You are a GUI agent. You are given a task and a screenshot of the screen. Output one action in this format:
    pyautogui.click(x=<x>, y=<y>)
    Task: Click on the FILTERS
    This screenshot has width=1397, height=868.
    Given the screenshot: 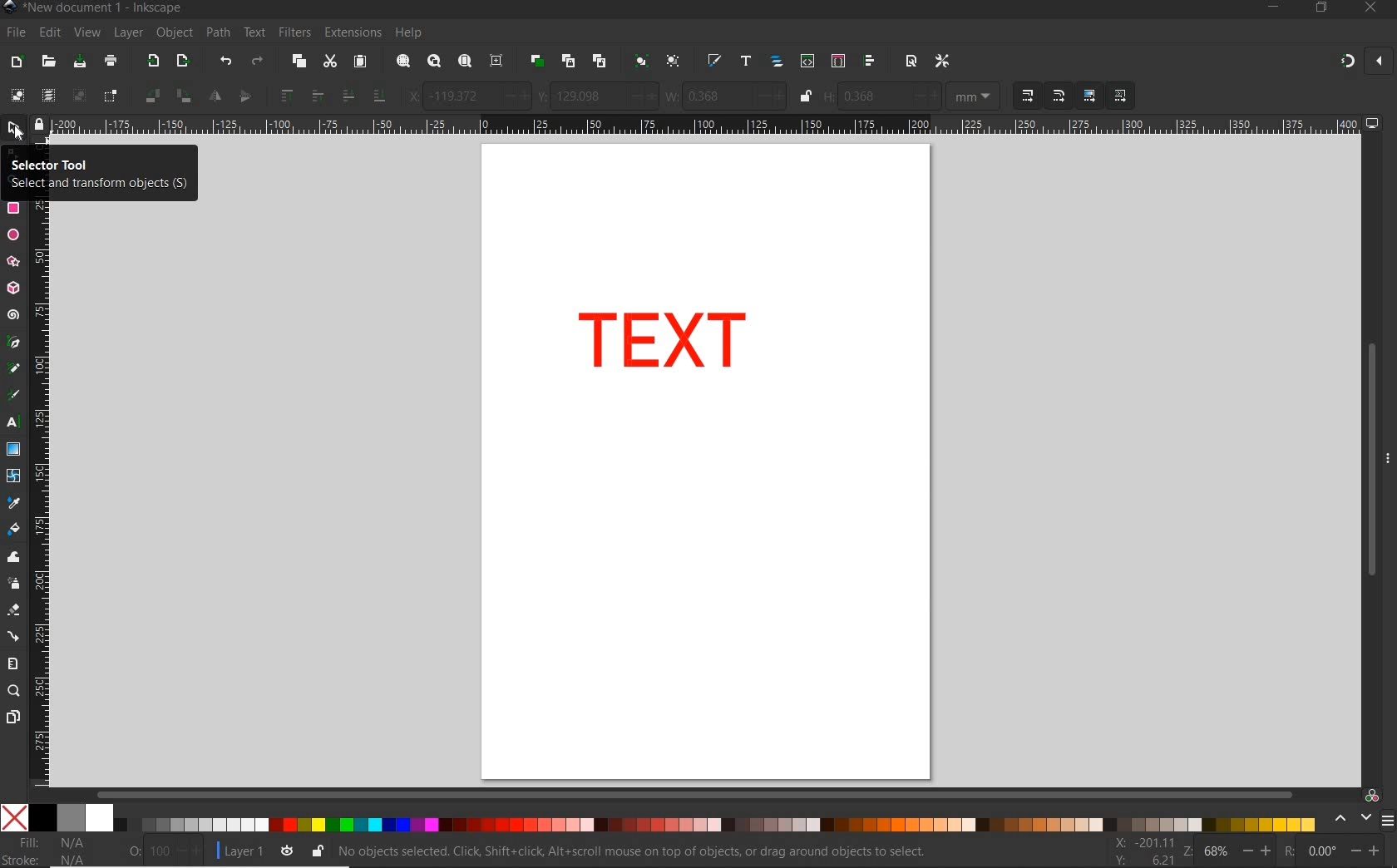 What is the action you would take?
    pyautogui.click(x=294, y=31)
    